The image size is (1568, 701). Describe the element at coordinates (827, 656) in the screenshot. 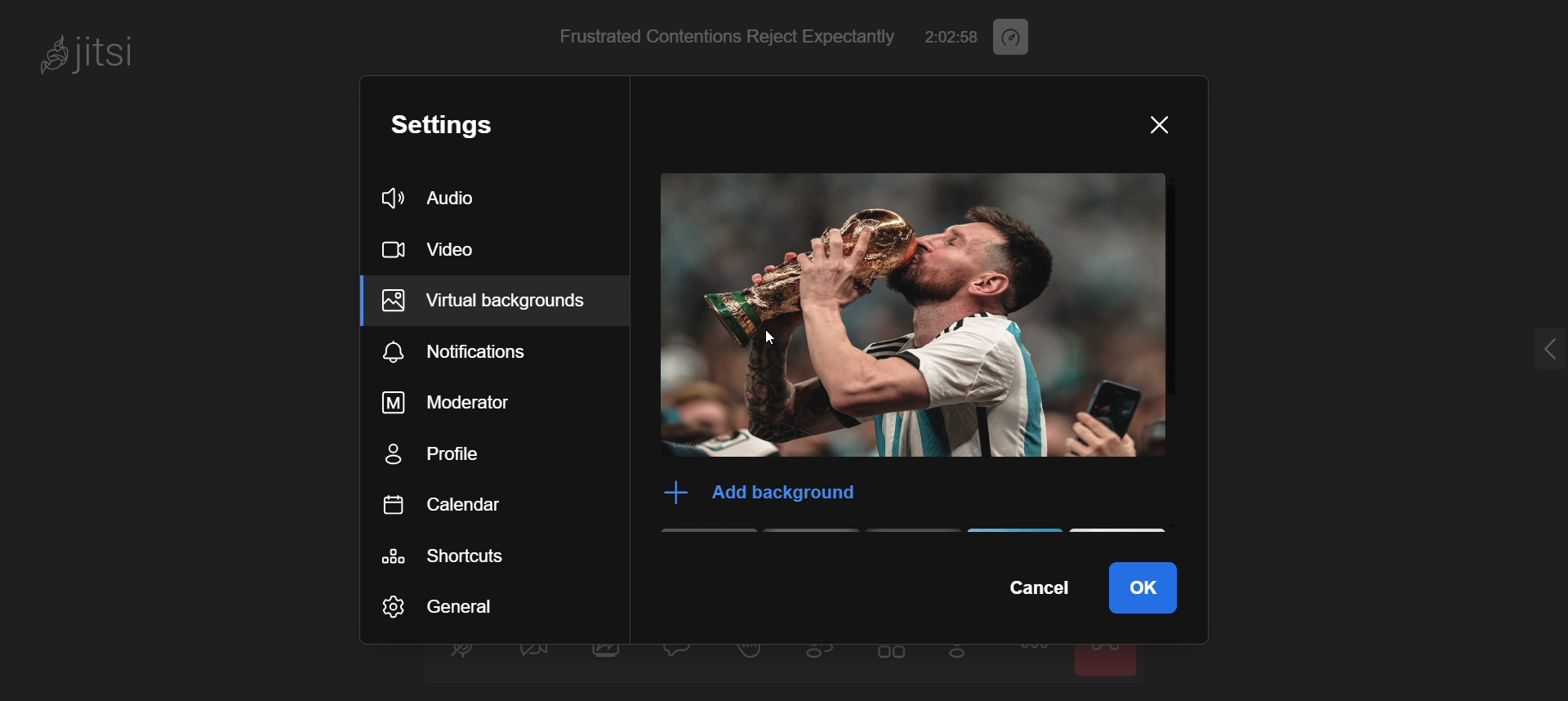

I see `participantd` at that location.